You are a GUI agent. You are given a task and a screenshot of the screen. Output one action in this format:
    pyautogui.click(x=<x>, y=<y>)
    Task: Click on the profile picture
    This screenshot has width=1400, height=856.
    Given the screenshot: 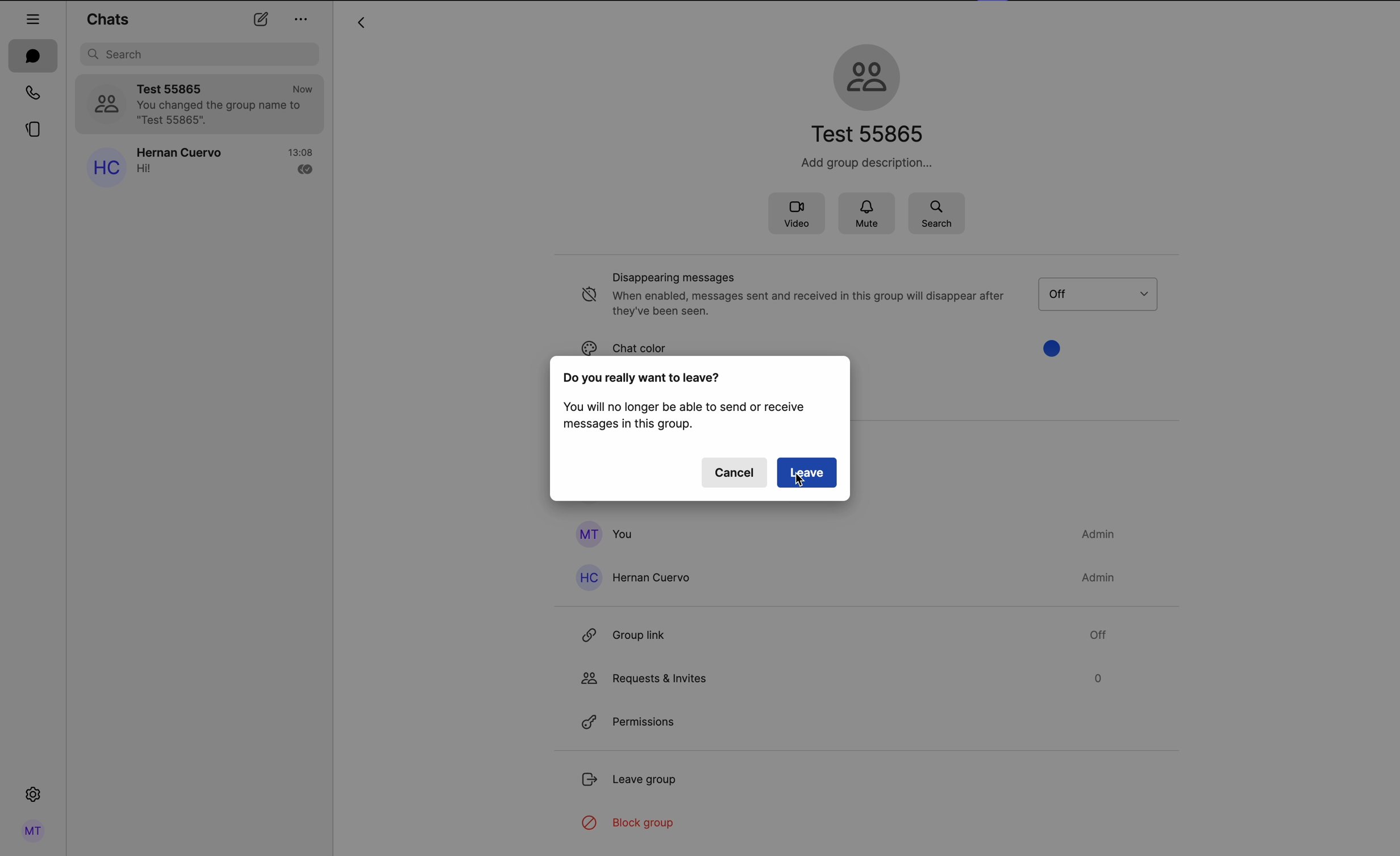 What is the action you would take?
    pyautogui.click(x=104, y=169)
    